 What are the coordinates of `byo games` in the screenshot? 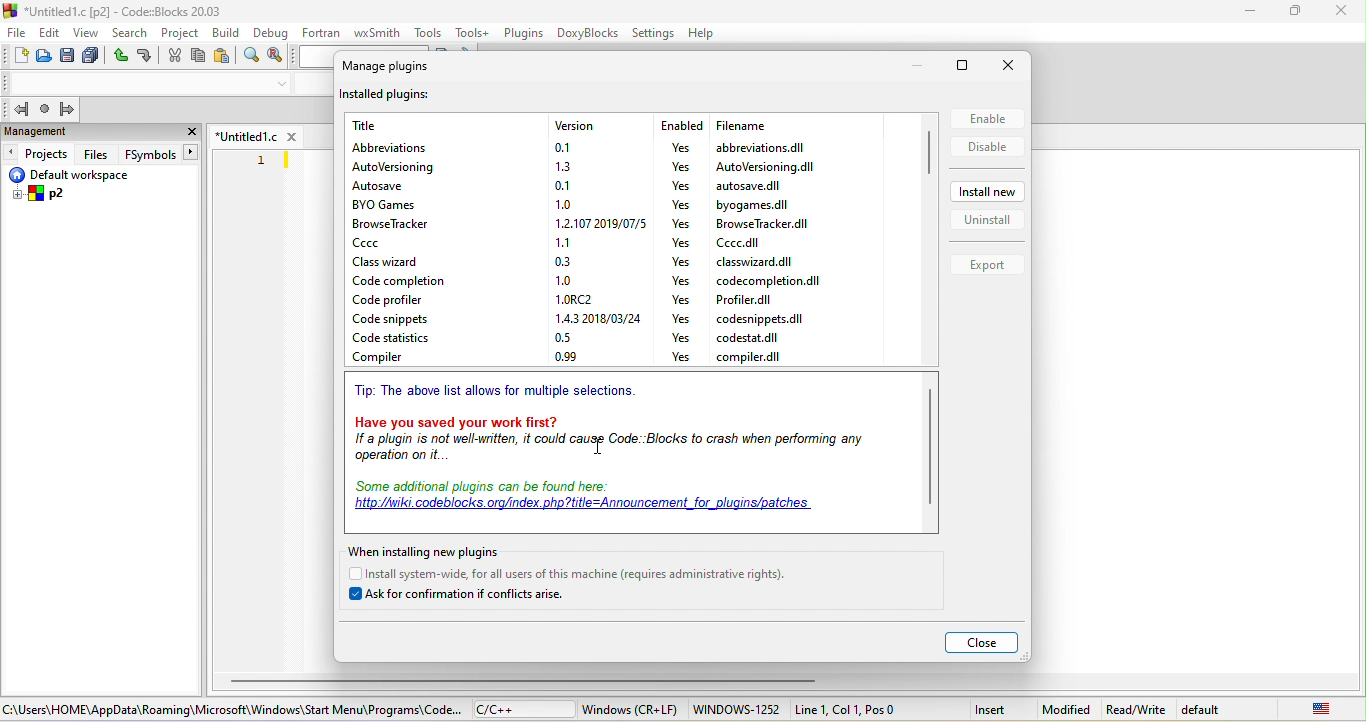 It's located at (401, 206).